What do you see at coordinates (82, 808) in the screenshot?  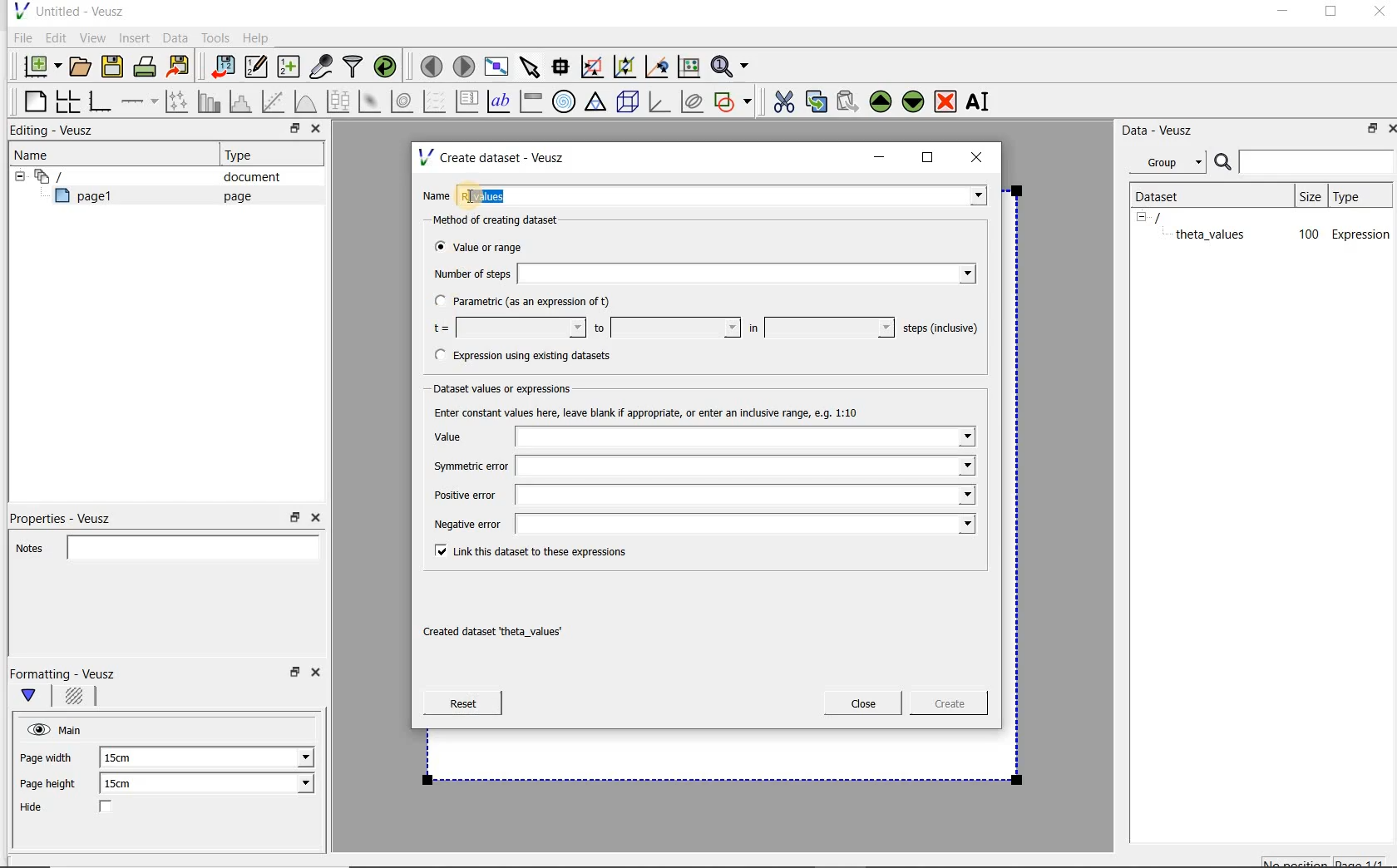 I see `Hide` at bounding box center [82, 808].